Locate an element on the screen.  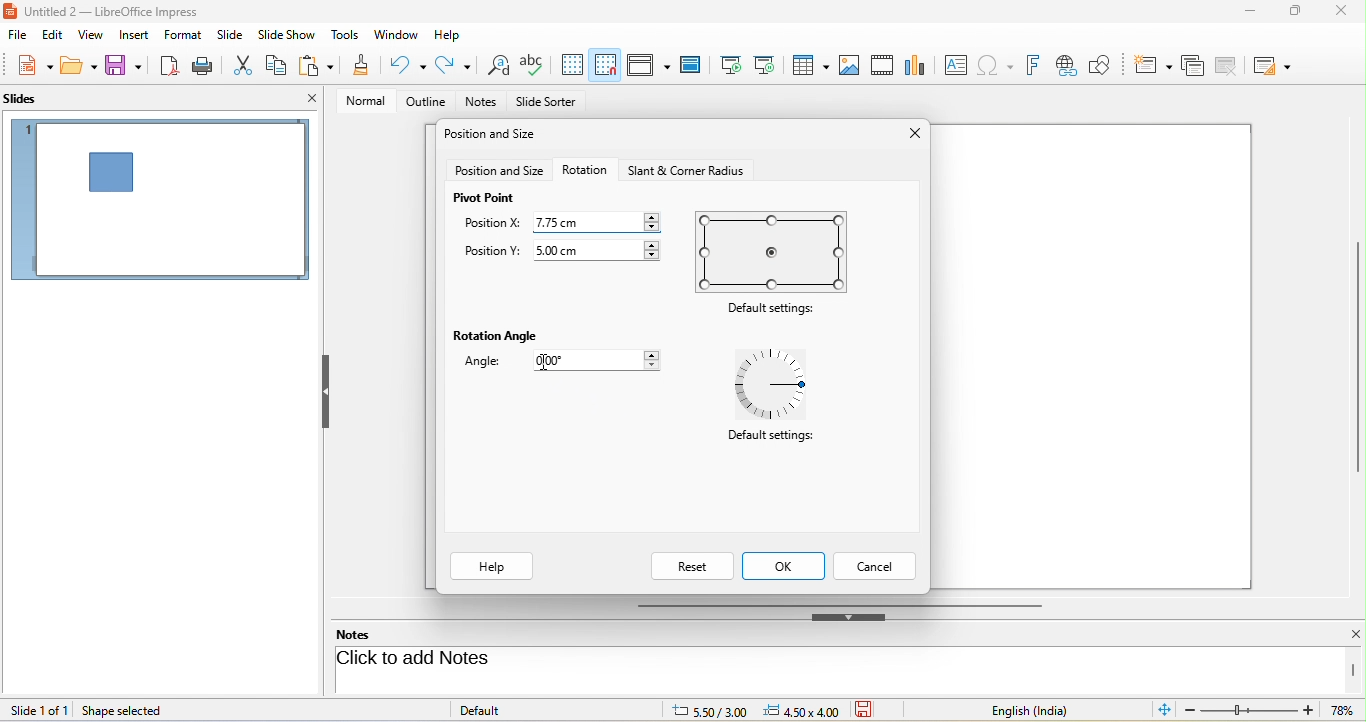
slide show is located at coordinates (290, 35).